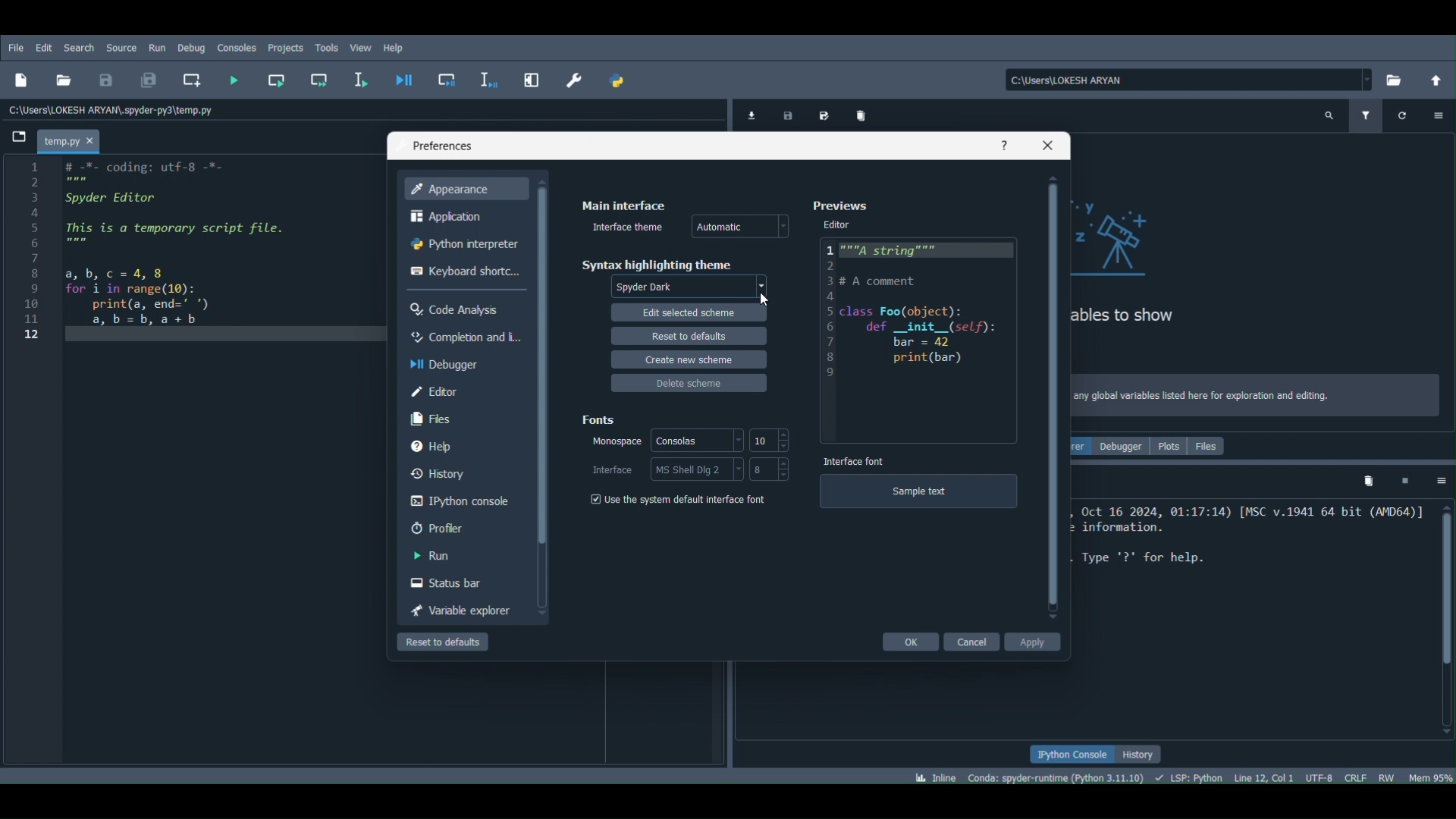 This screenshot has width=1456, height=819. What do you see at coordinates (26, 77) in the screenshot?
I see `New file (Ctrl + N)` at bounding box center [26, 77].